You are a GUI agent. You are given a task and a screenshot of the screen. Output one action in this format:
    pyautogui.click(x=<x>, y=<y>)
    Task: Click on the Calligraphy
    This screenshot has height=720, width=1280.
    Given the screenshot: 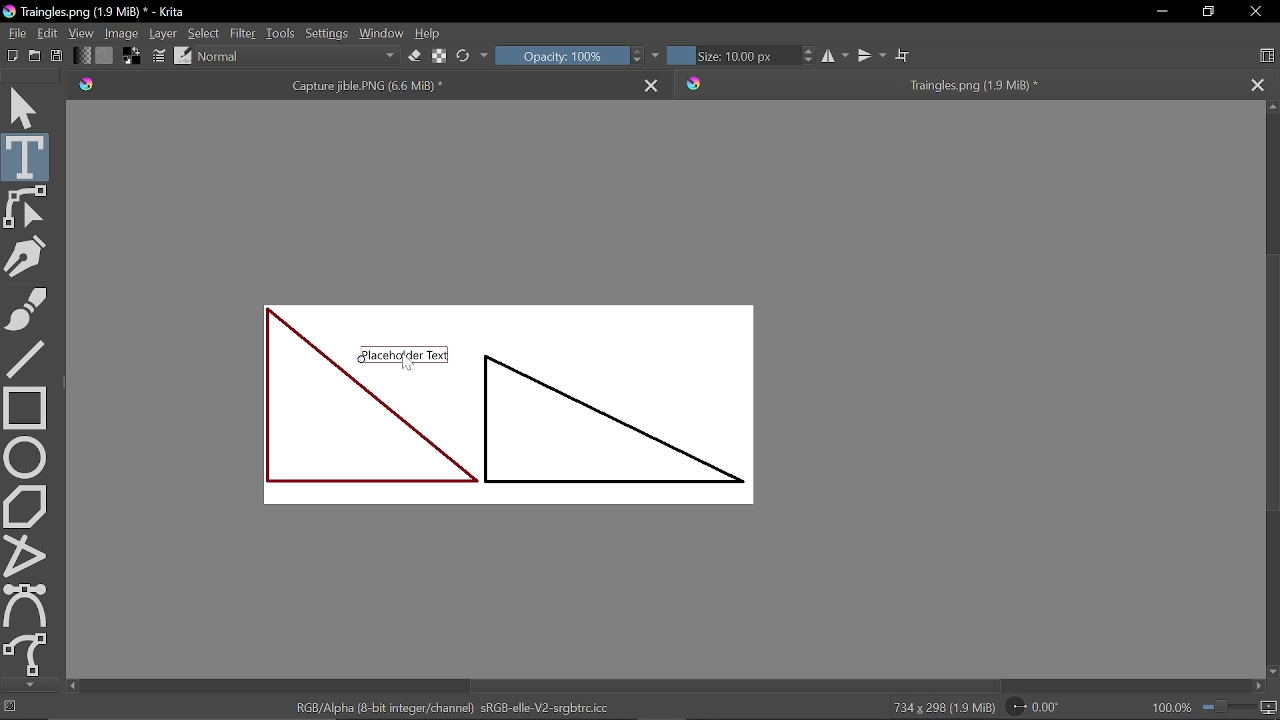 What is the action you would take?
    pyautogui.click(x=25, y=256)
    